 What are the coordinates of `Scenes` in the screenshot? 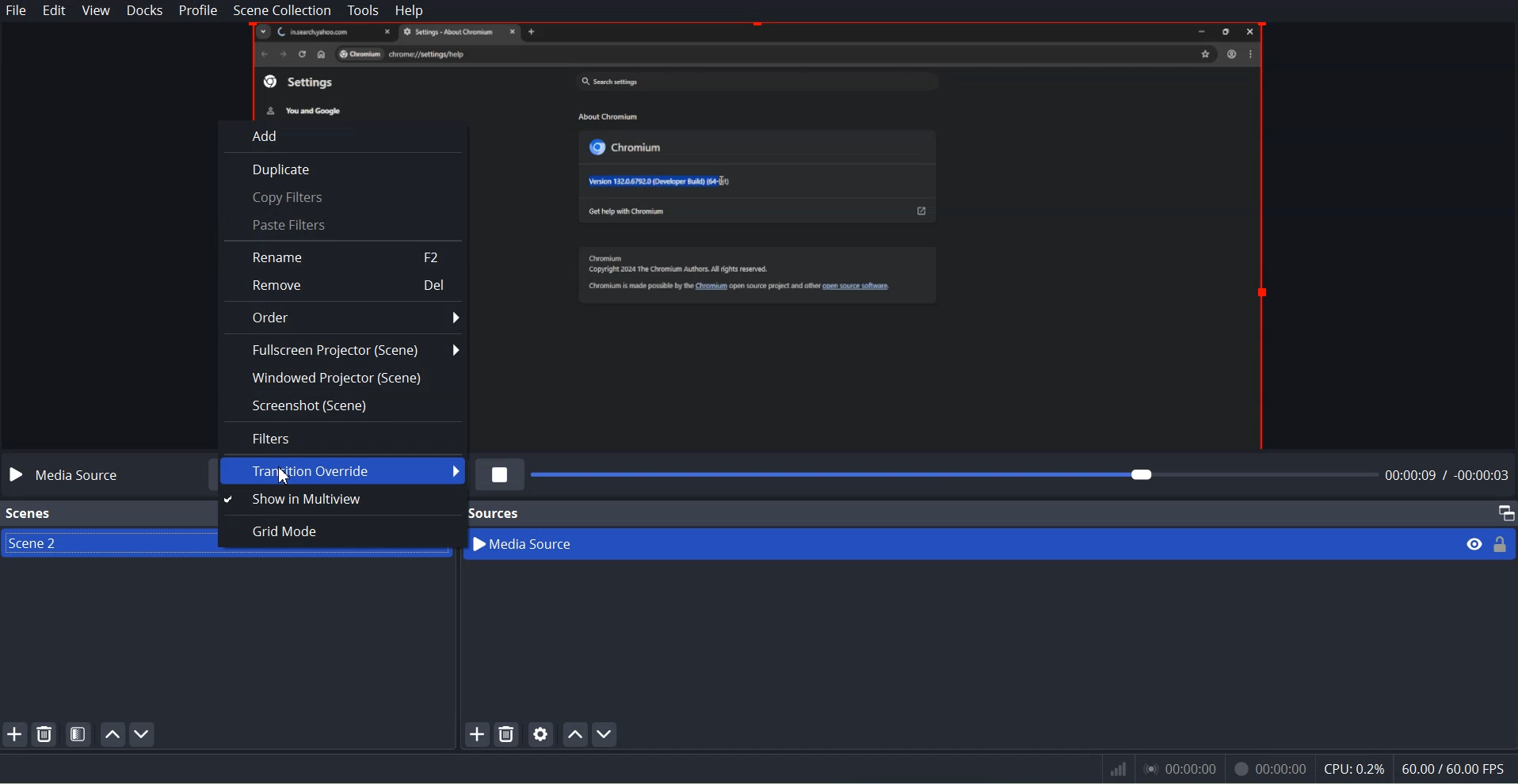 It's located at (29, 514).